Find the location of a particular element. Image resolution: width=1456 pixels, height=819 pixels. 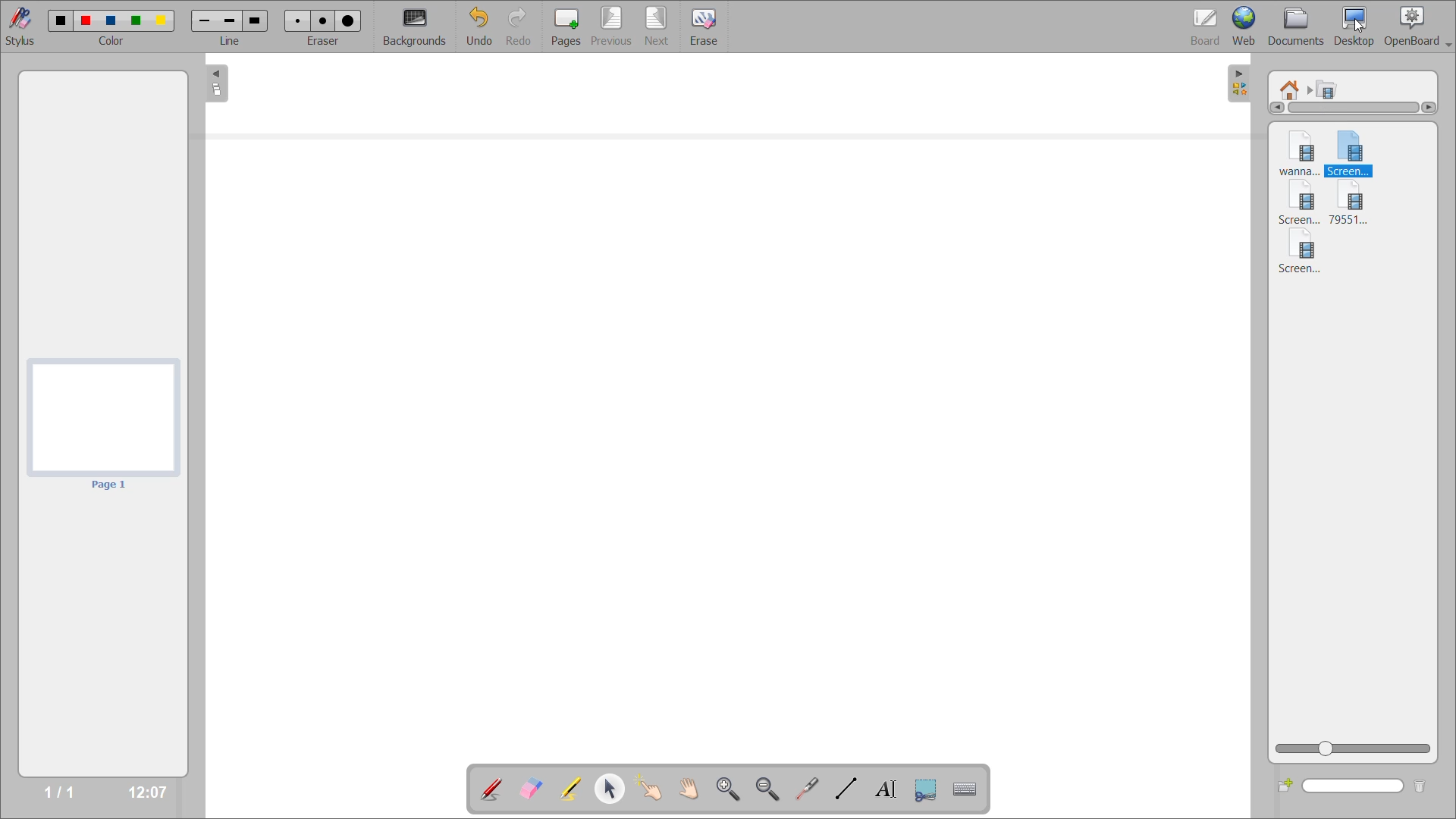

Left arrow is located at coordinates (1275, 110).